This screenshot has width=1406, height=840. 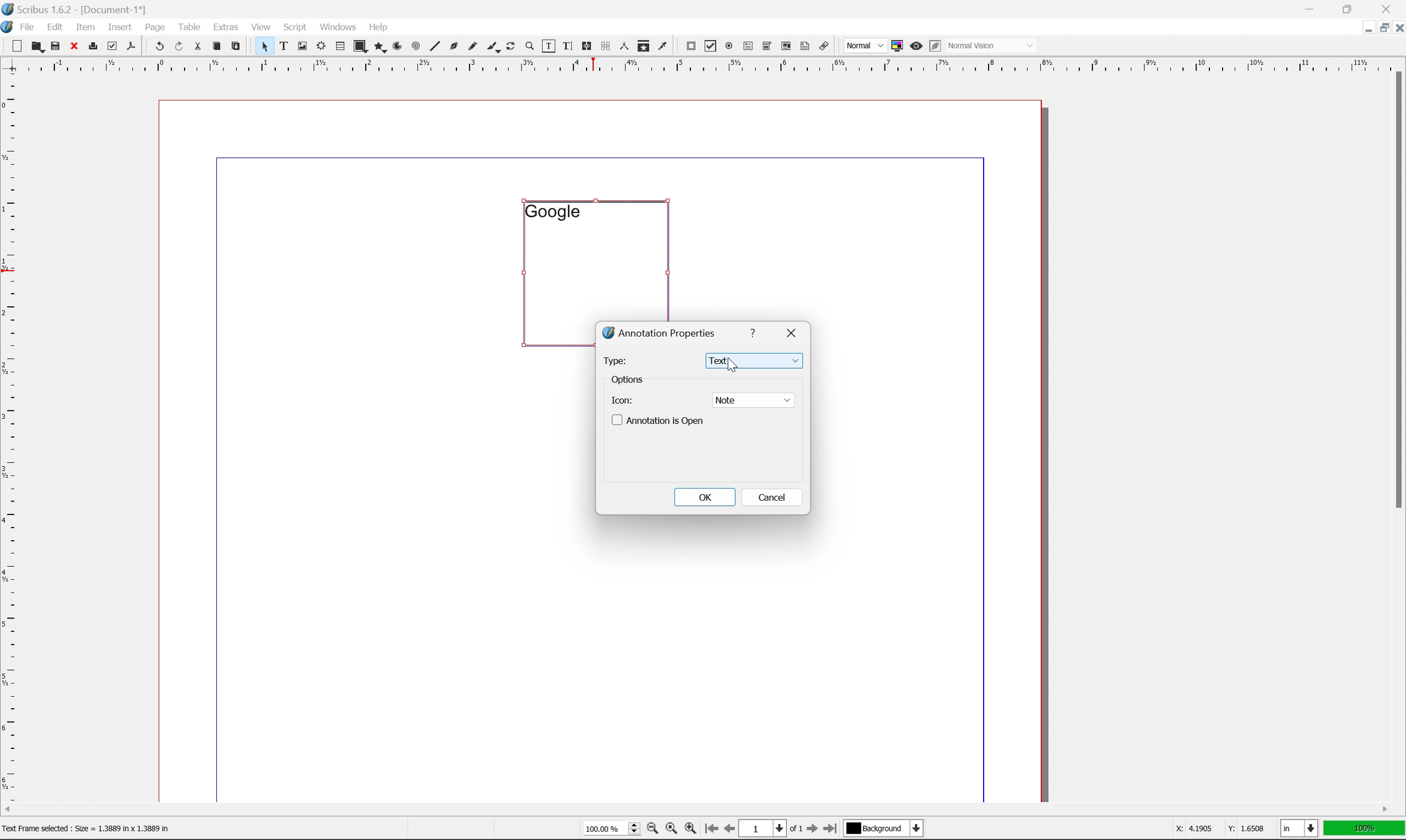 I want to click on shape, so click(x=361, y=47).